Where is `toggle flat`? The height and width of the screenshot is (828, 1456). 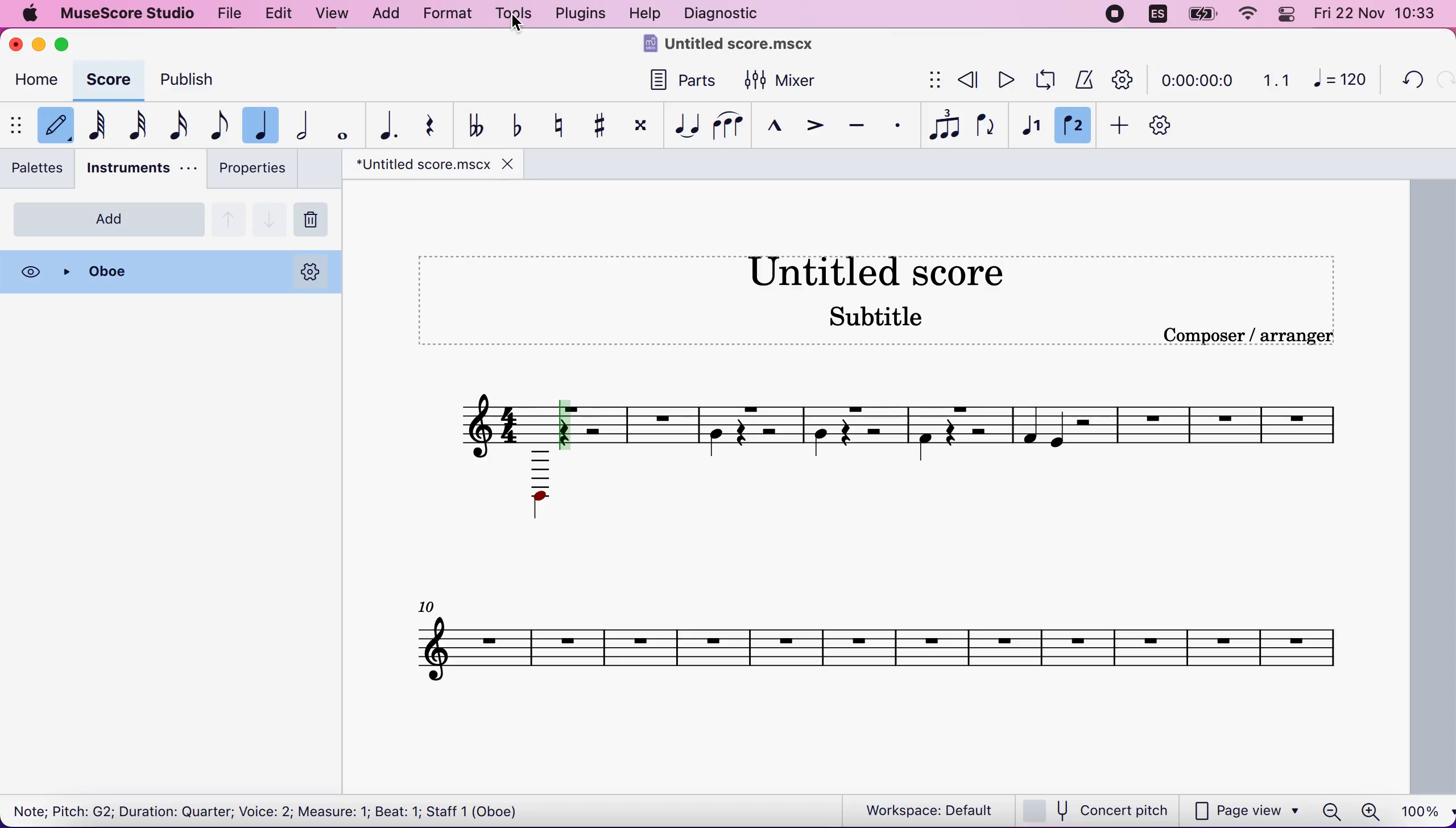
toggle flat is located at coordinates (522, 126).